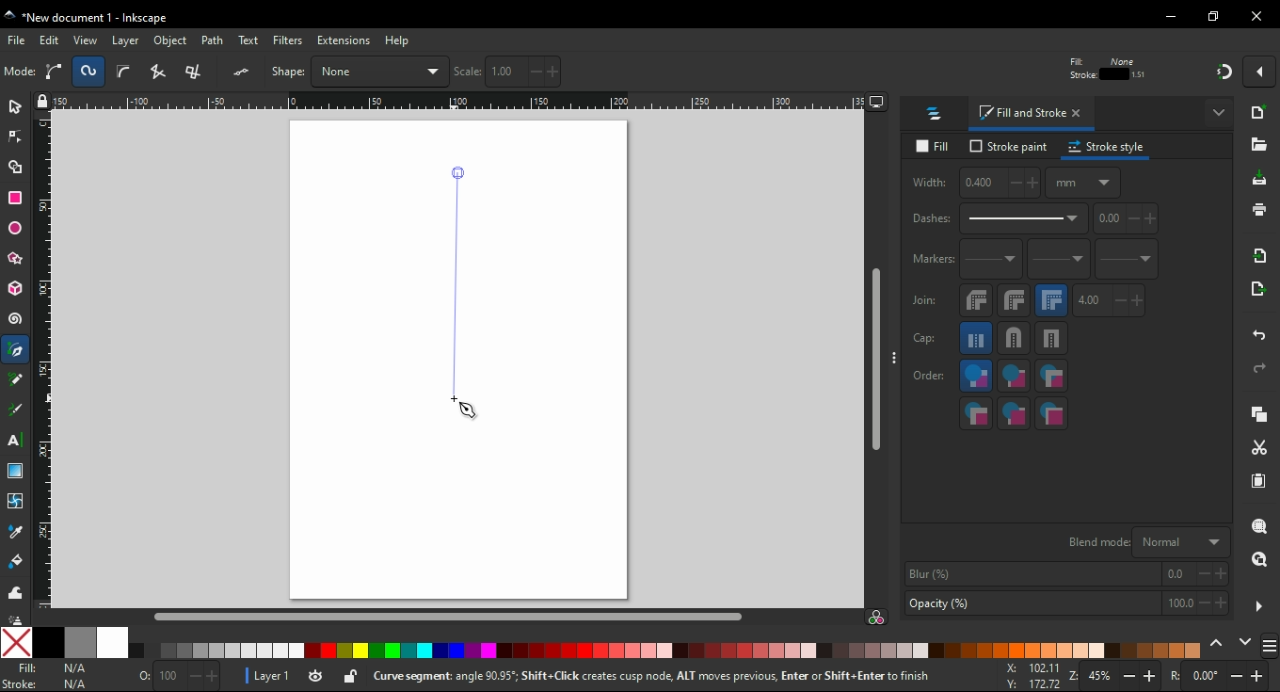 The height and width of the screenshot is (692, 1280). I want to click on close window, so click(1257, 16).